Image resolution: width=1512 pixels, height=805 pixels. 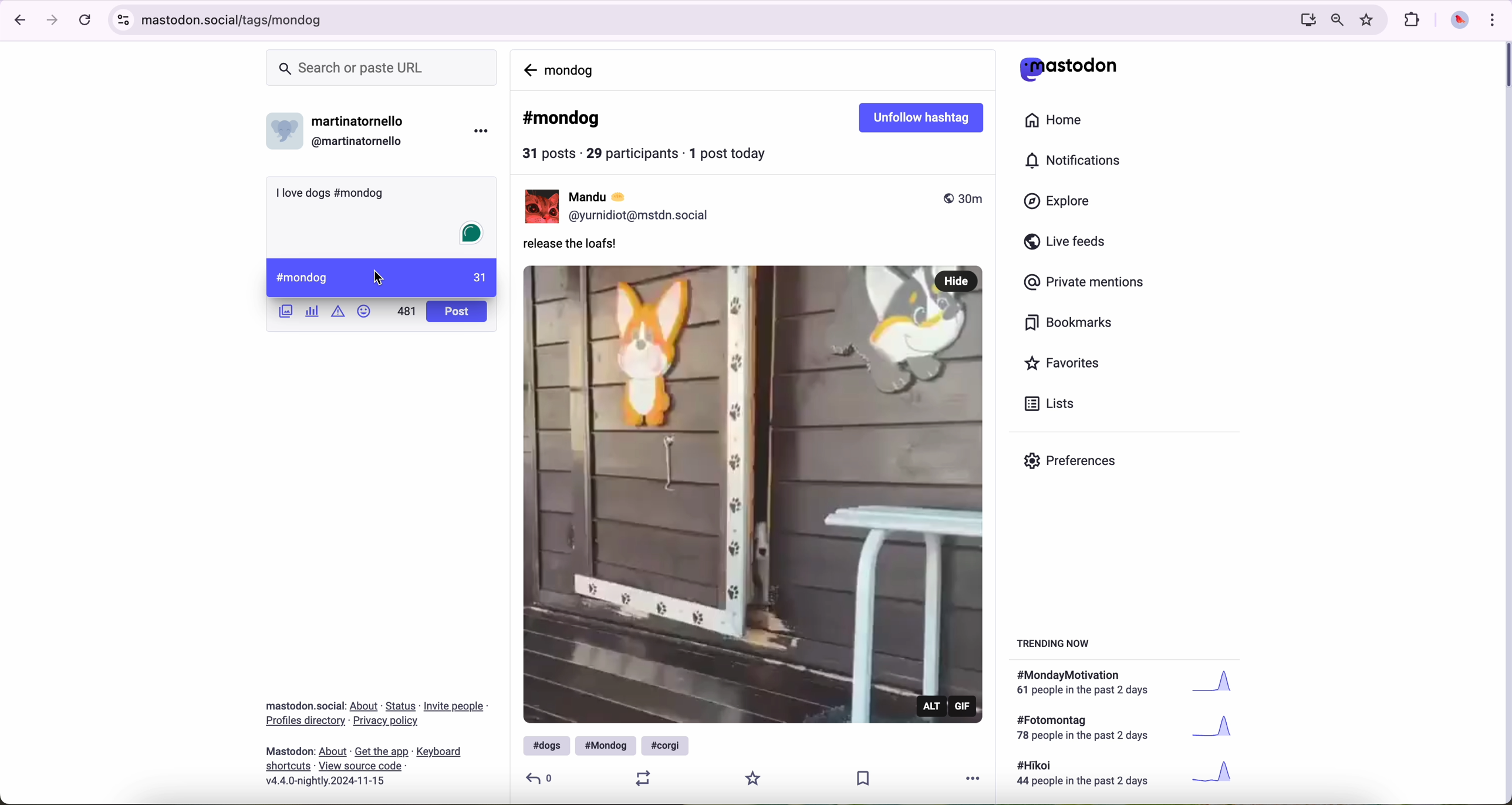 What do you see at coordinates (1072, 462) in the screenshot?
I see `preferences` at bounding box center [1072, 462].